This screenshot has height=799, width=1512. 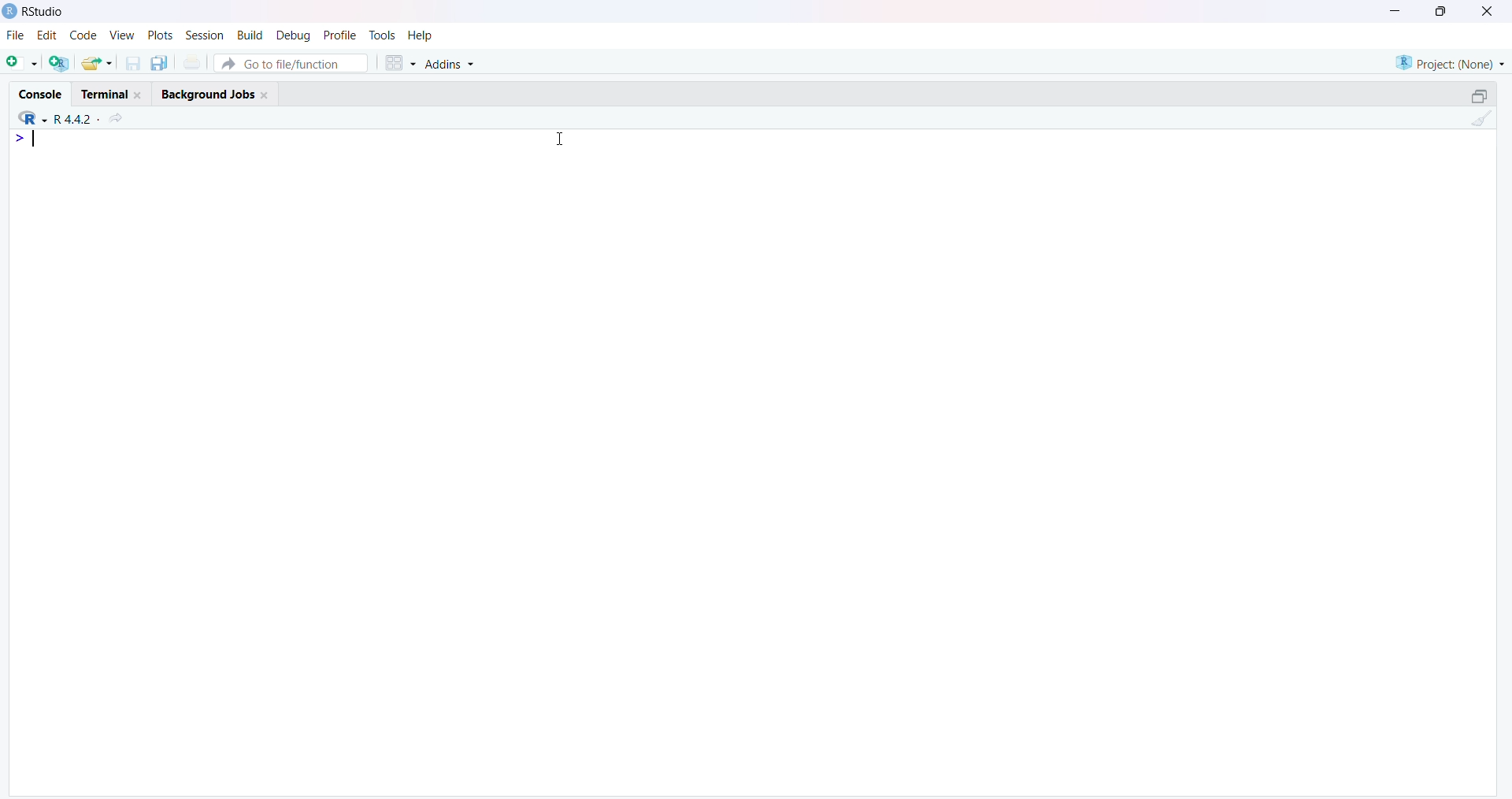 What do you see at coordinates (102, 63) in the screenshot?
I see `Open an existing file (Ctrl + O)` at bounding box center [102, 63].